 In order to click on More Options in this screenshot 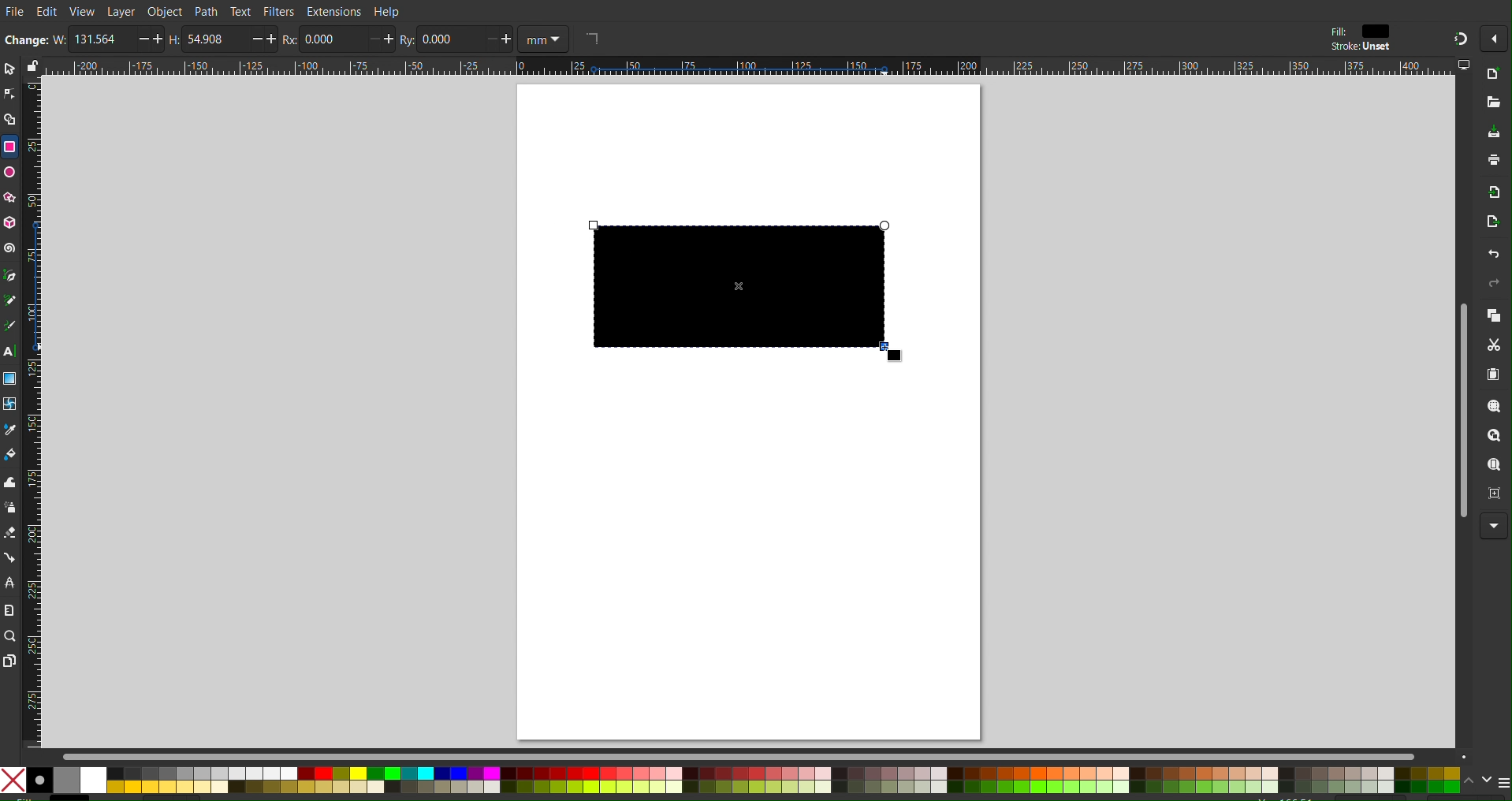, I will do `click(1494, 38)`.